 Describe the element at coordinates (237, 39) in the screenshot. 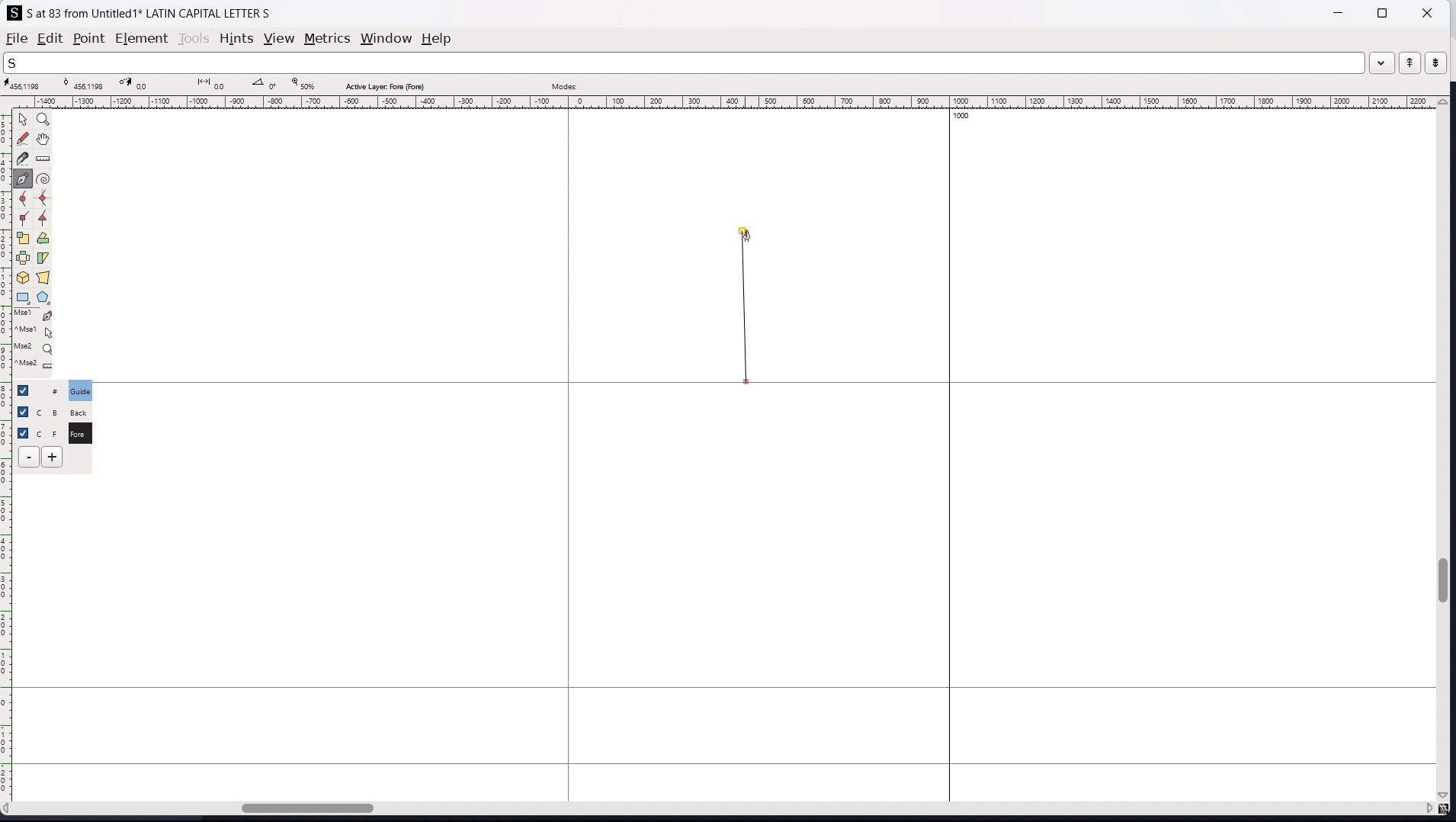

I see `hints` at that location.